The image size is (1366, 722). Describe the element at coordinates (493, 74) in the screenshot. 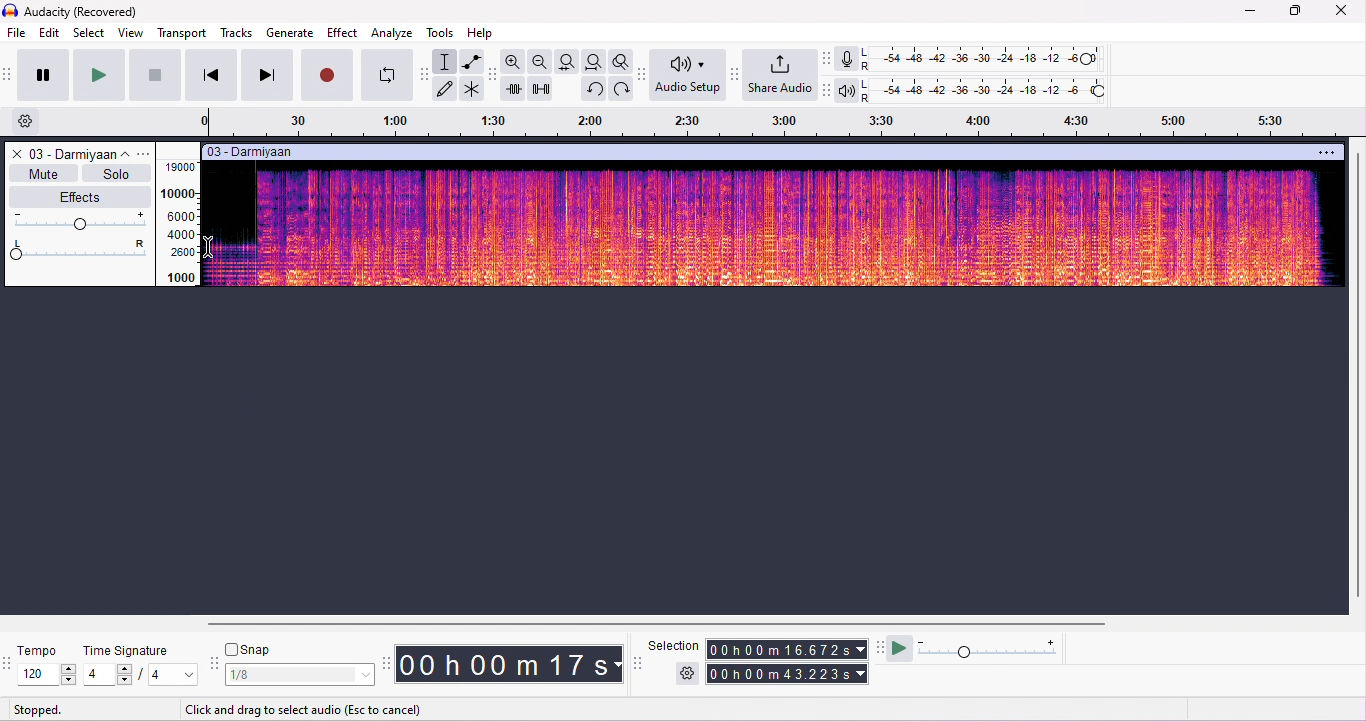

I see `edit toolbar` at that location.